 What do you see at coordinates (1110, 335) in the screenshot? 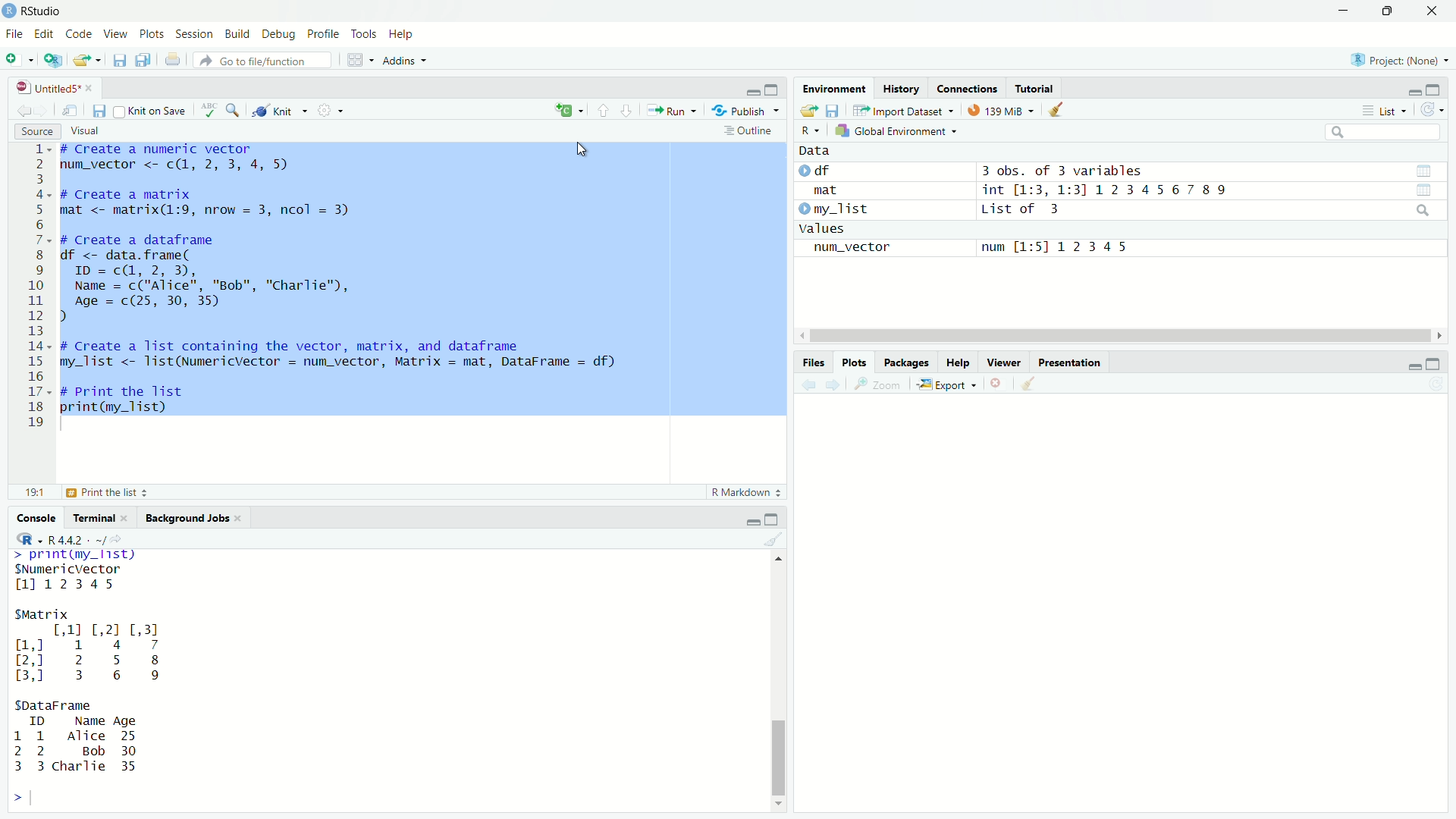
I see `scroll bar` at bounding box center [1110, 335].